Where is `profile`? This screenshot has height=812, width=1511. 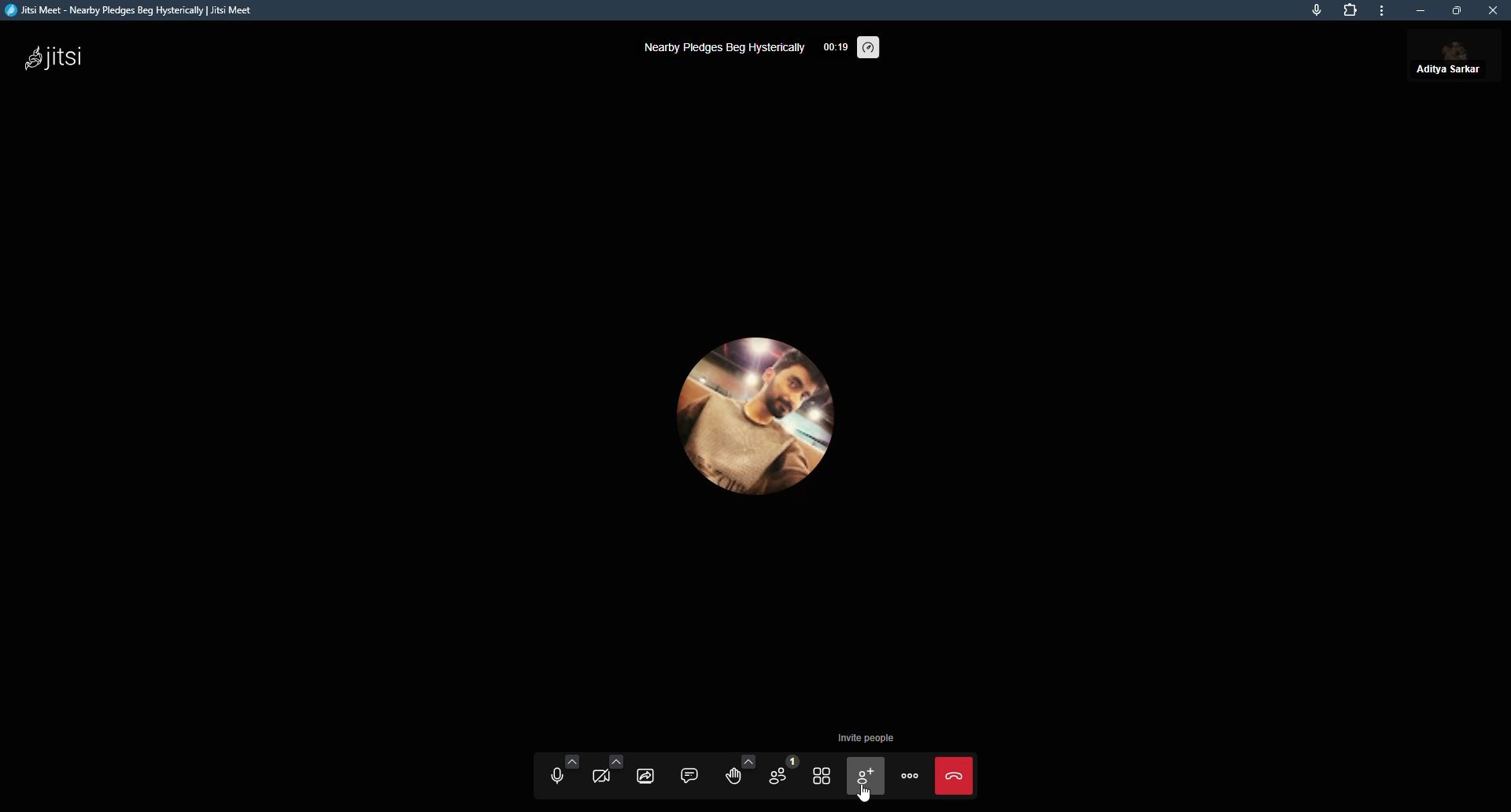 profile is located at coordinates (1448, 57).